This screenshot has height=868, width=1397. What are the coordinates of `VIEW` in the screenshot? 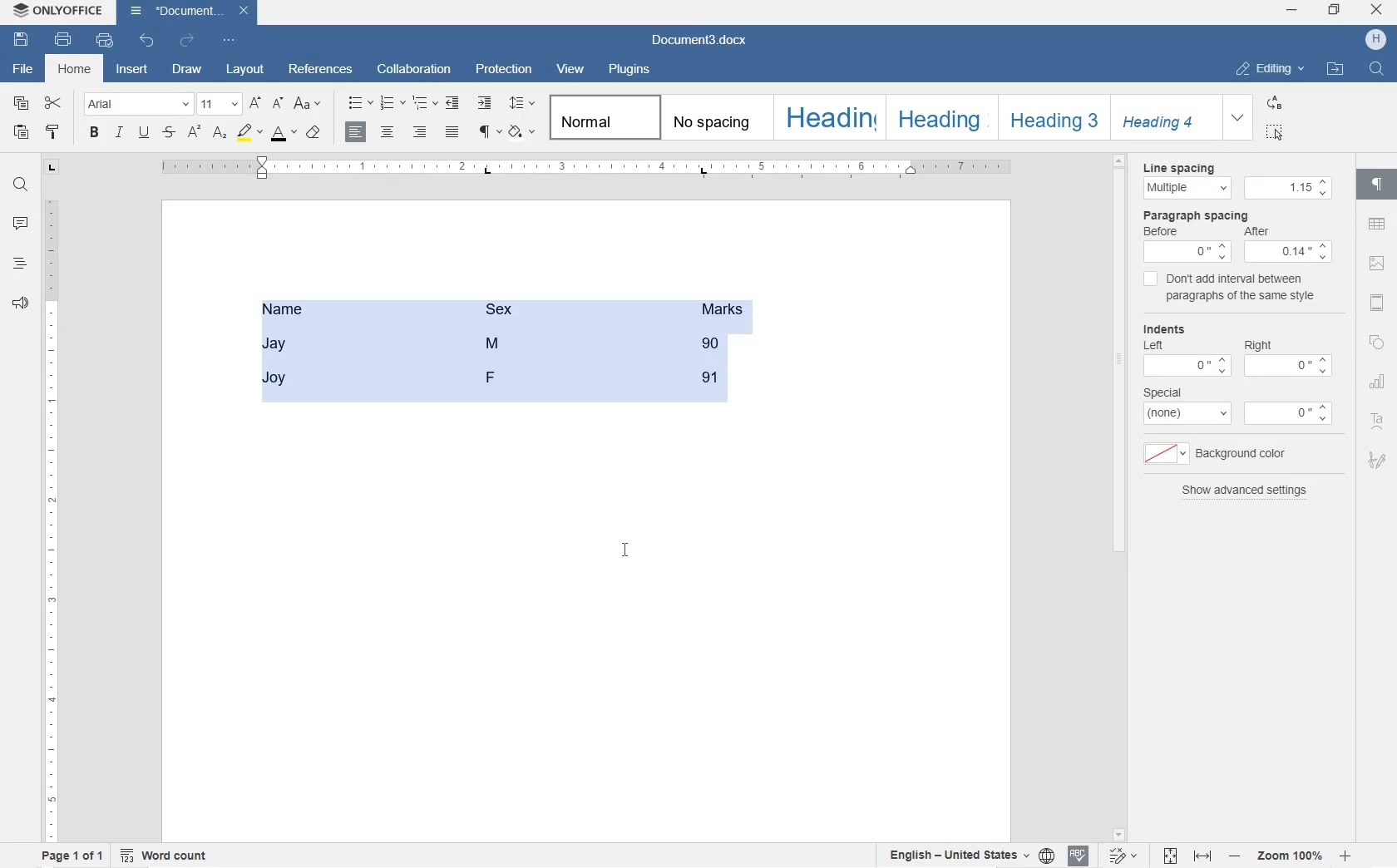 It's located at (570, 72).